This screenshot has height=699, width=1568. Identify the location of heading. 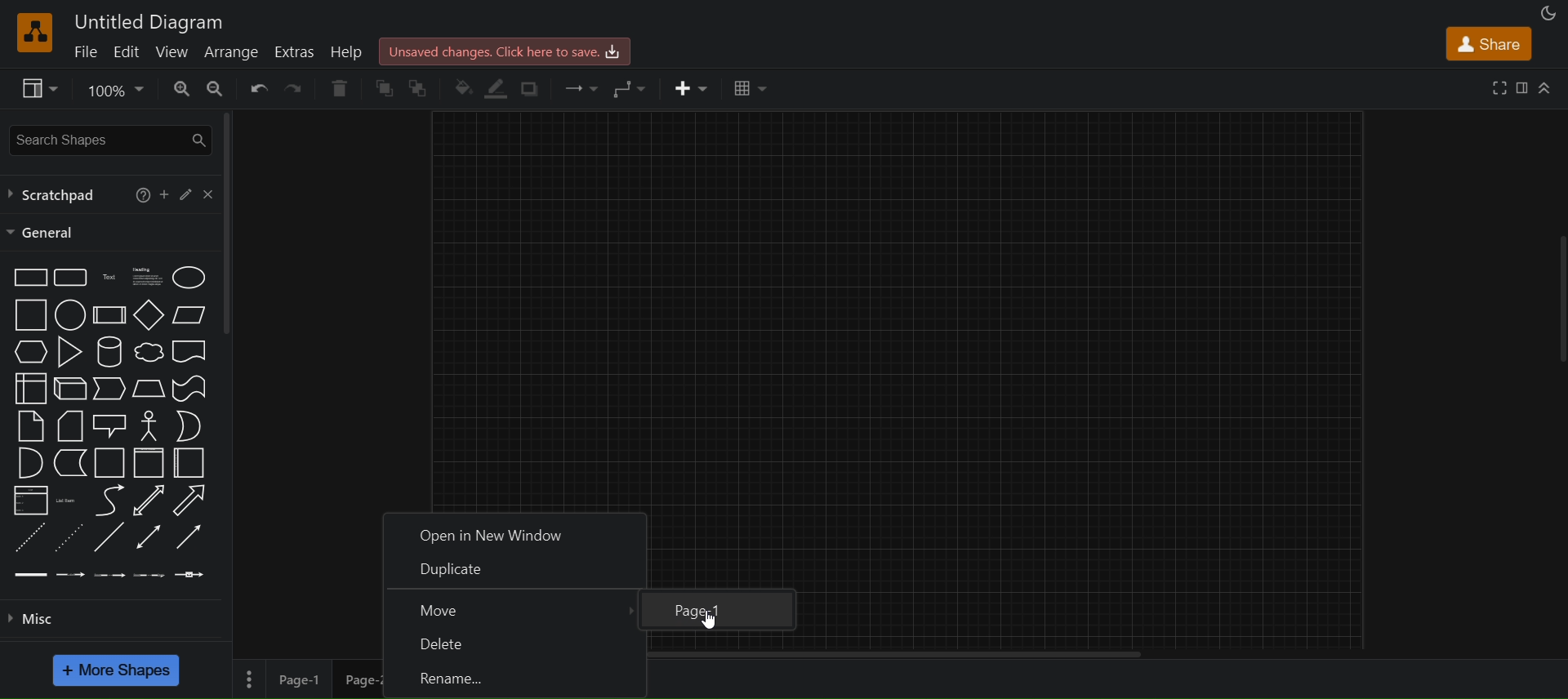
(146, 276).